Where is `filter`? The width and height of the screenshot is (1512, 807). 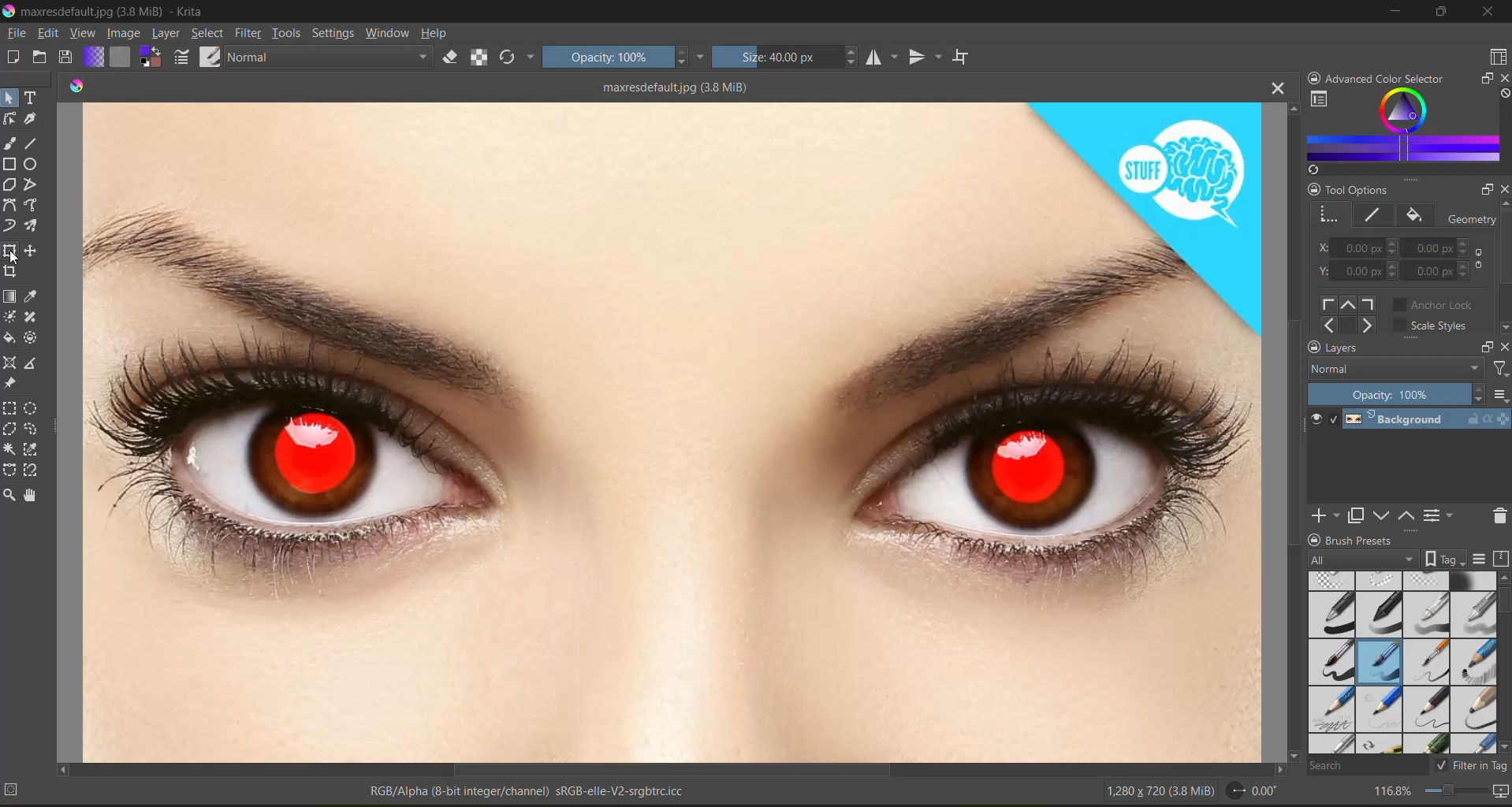 filter is located at coordinates (251, 32).